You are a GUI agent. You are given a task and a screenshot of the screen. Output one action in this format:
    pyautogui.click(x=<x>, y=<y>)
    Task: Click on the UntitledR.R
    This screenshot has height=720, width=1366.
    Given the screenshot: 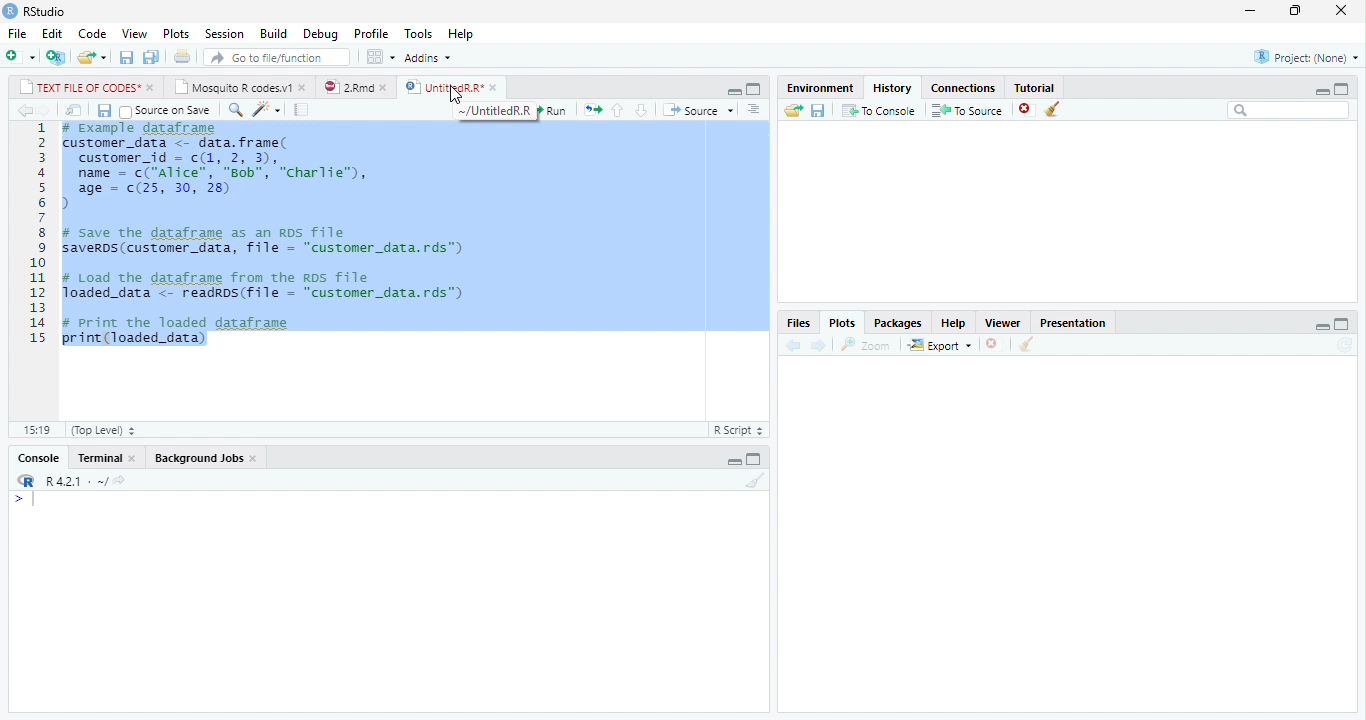 What is the action you would take?
    pyautogui.click(x=443, y=86)
    